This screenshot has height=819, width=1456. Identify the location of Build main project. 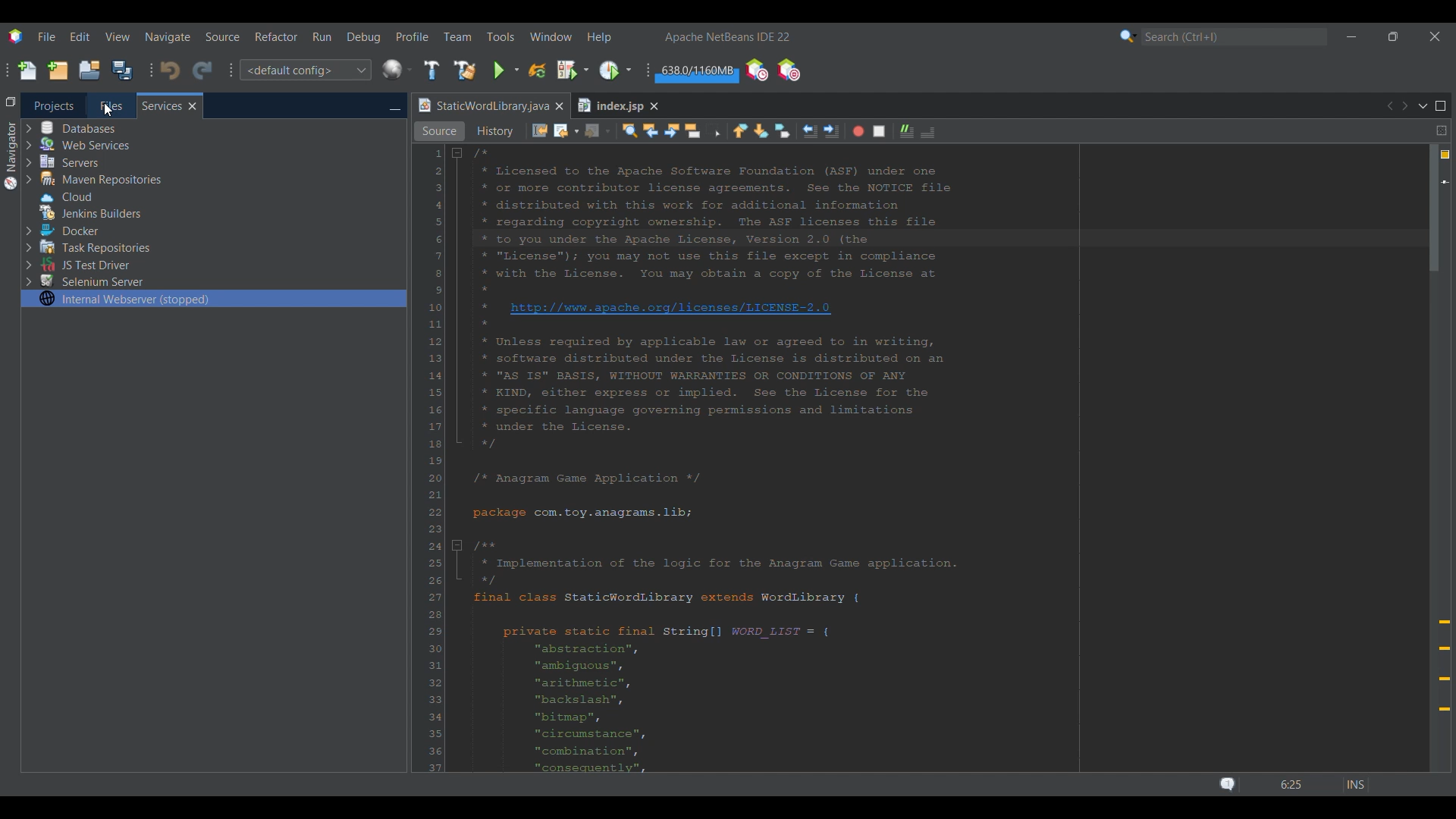
(431, 70).